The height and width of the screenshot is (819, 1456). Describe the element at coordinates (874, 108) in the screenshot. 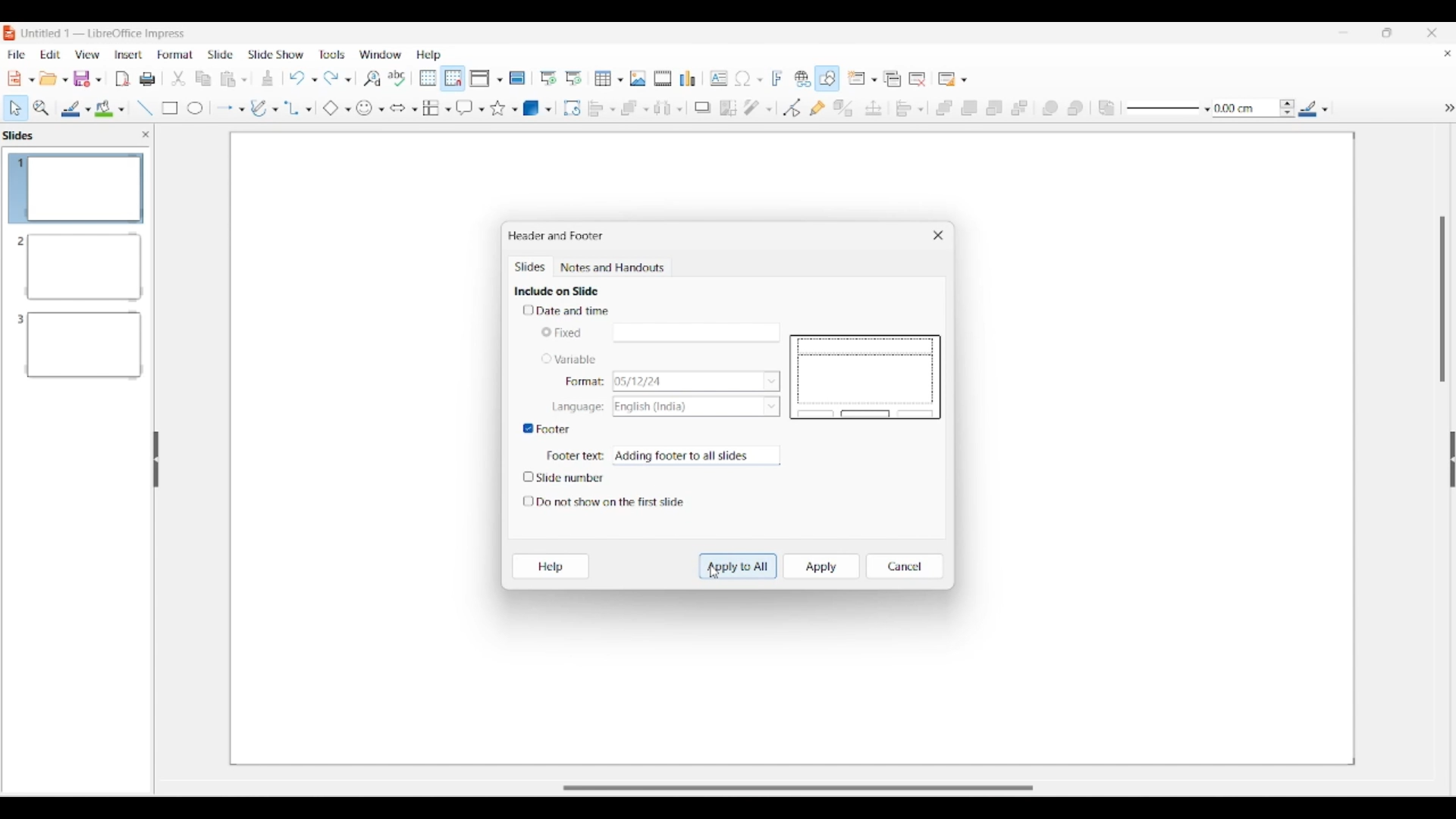

I see `Position and size` at that location.